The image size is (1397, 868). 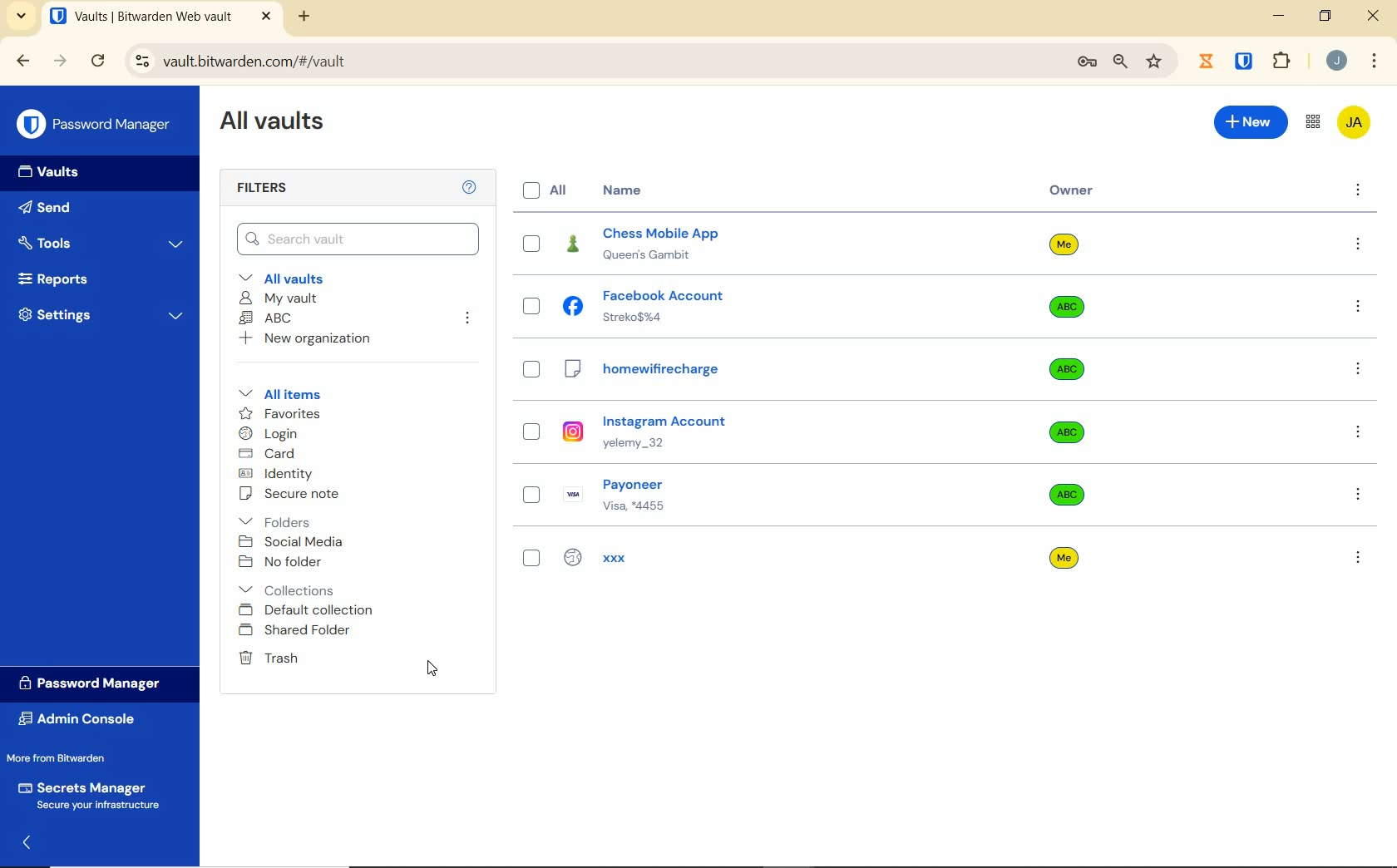 I want to click on homewifirecharge, so click(x=764, y=367).